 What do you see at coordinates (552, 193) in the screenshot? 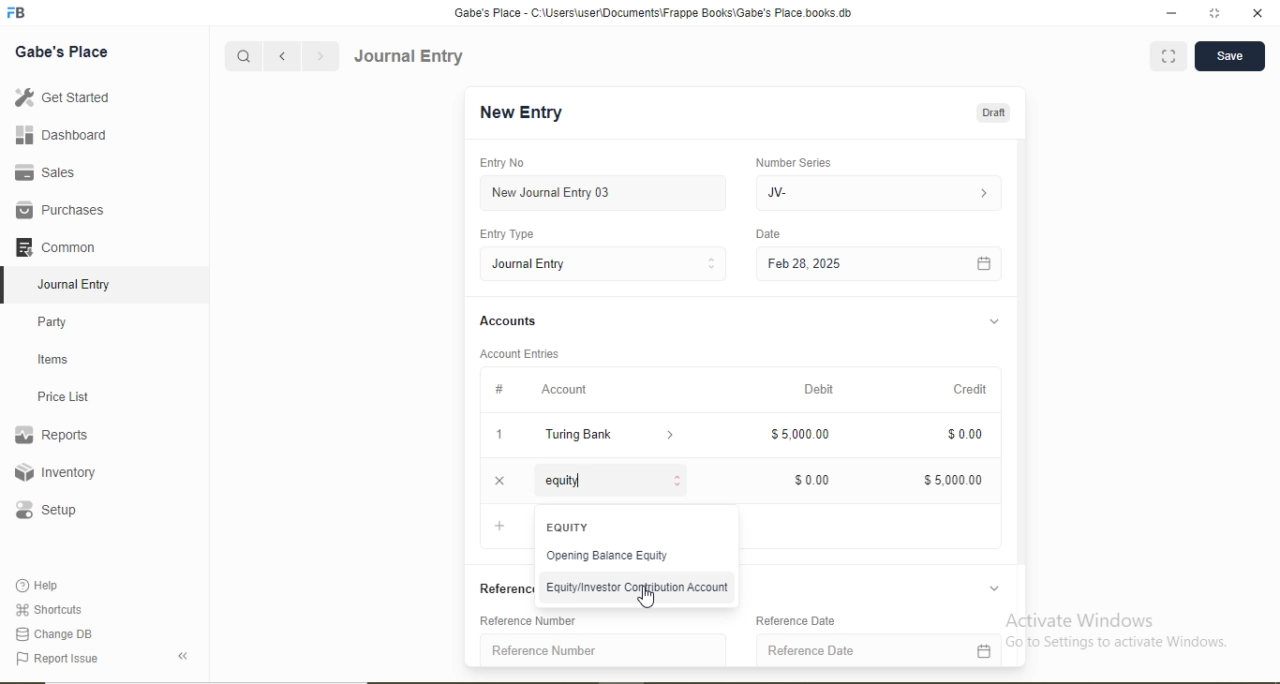
I see `New Journal Entry 03` at bounding box center [552, 193].